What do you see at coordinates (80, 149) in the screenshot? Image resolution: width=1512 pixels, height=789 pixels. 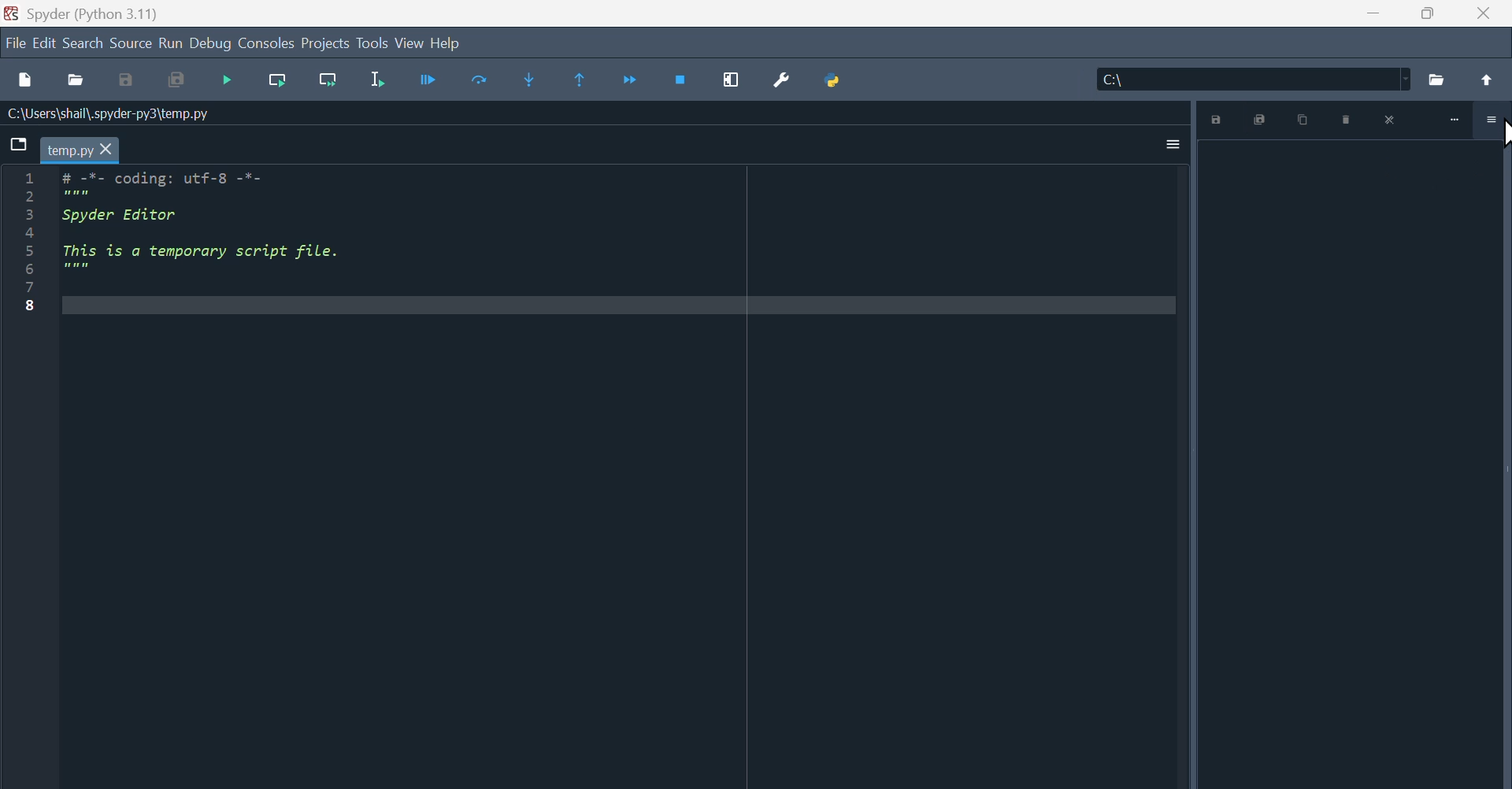 I see `current file tab` at bounding box center [80, 149].